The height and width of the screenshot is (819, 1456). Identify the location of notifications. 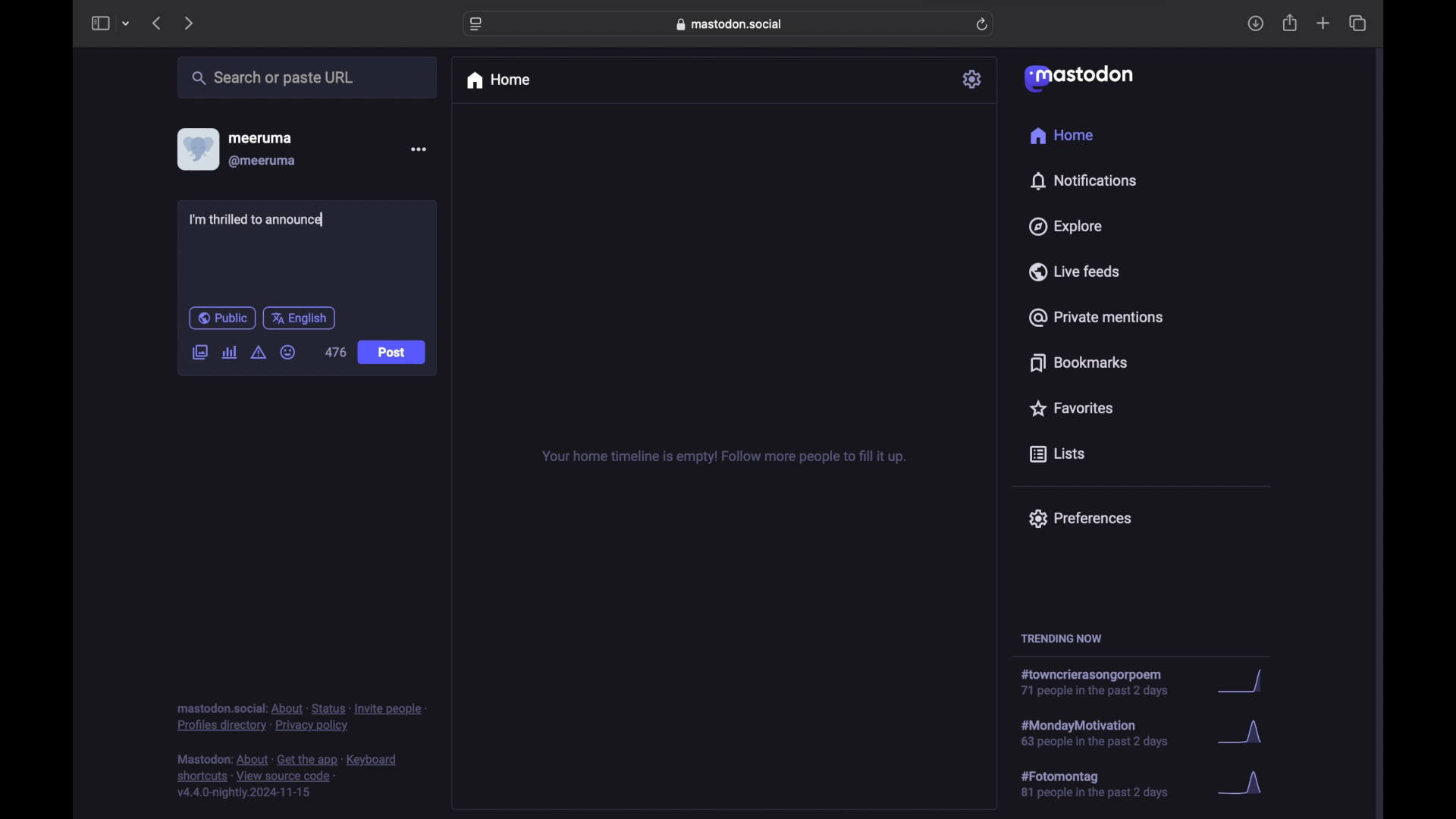
(1083, 181).